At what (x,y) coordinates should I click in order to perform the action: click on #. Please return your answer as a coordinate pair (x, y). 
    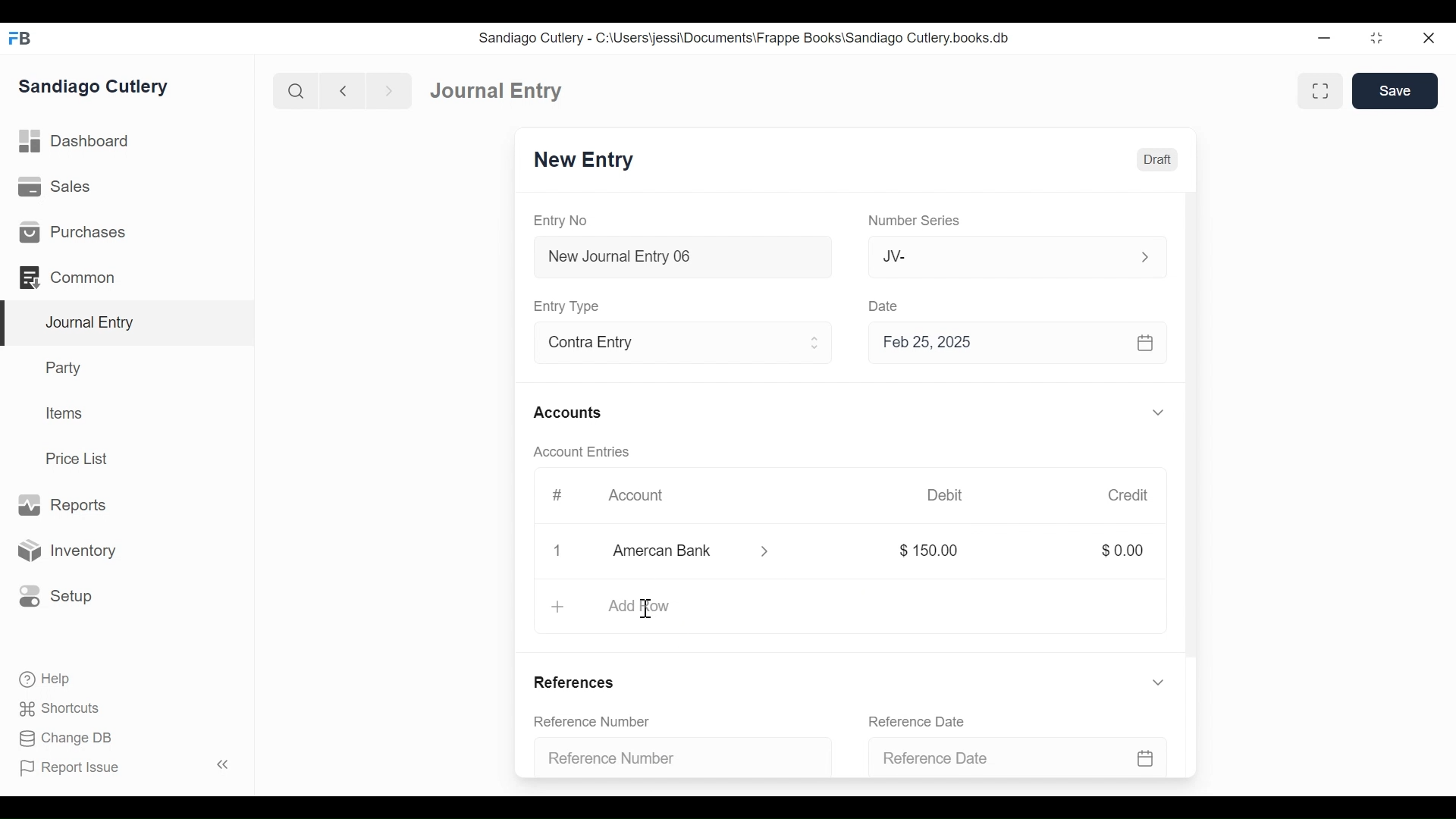
    Looking at the image, I should click on (557, 495).